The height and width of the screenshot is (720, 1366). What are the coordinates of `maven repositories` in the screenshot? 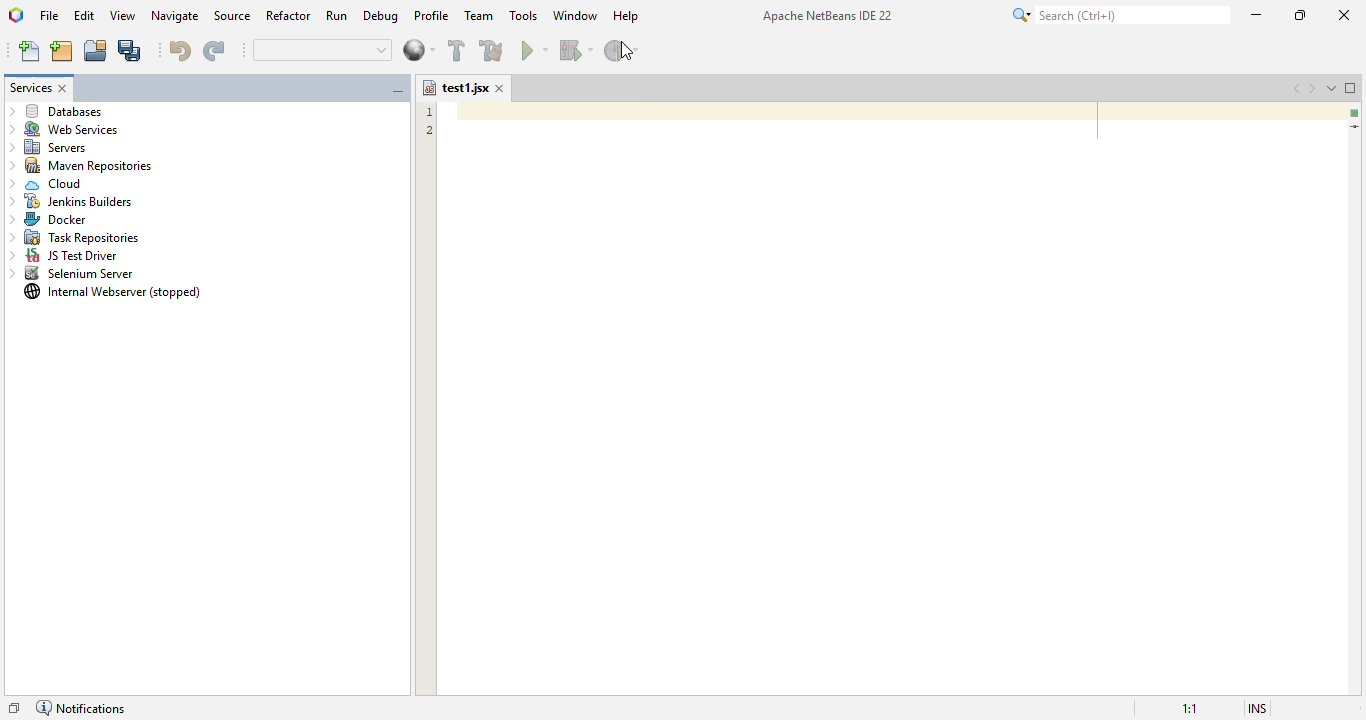 It's located at (81, 165).